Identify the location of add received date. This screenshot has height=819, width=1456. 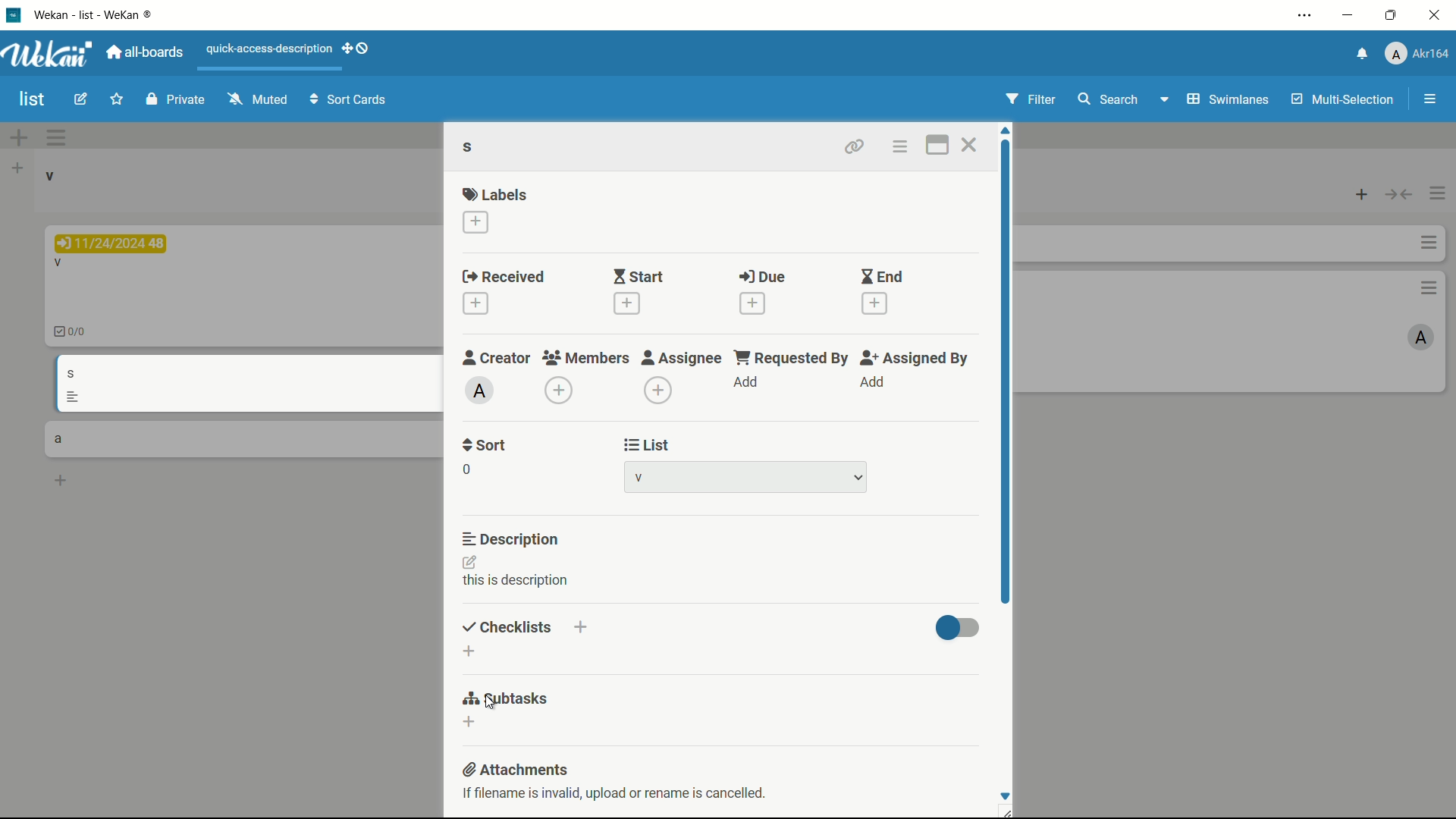
(475, 303).